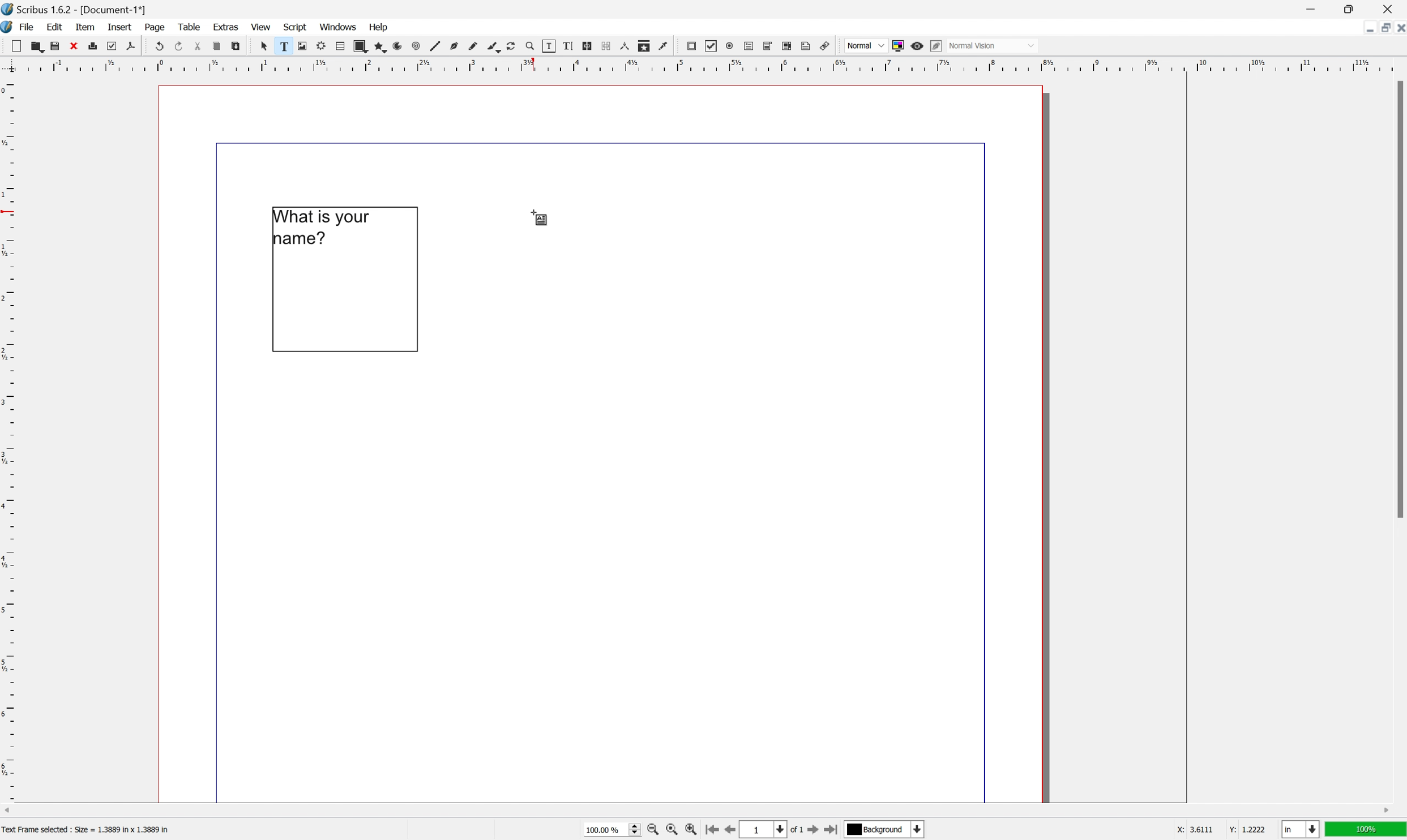 This screenshot has width=1407, height=840. I want to click on pdf radio button, so click(729, 46).